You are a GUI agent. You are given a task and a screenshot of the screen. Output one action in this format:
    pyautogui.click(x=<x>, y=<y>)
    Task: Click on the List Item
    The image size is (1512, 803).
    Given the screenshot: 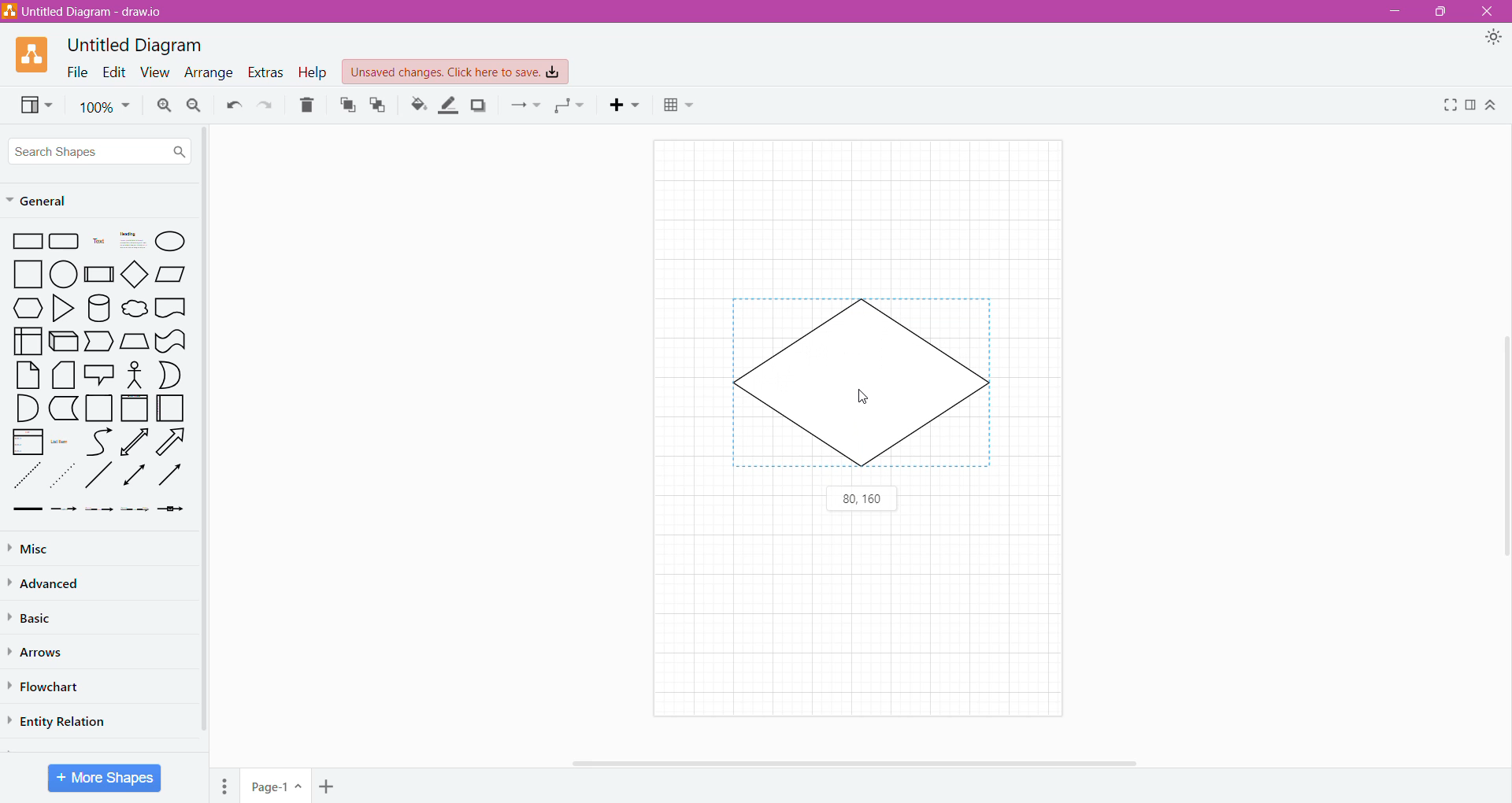 What is the action you would take?
    pyautogui.click(x=61, y=442)
    